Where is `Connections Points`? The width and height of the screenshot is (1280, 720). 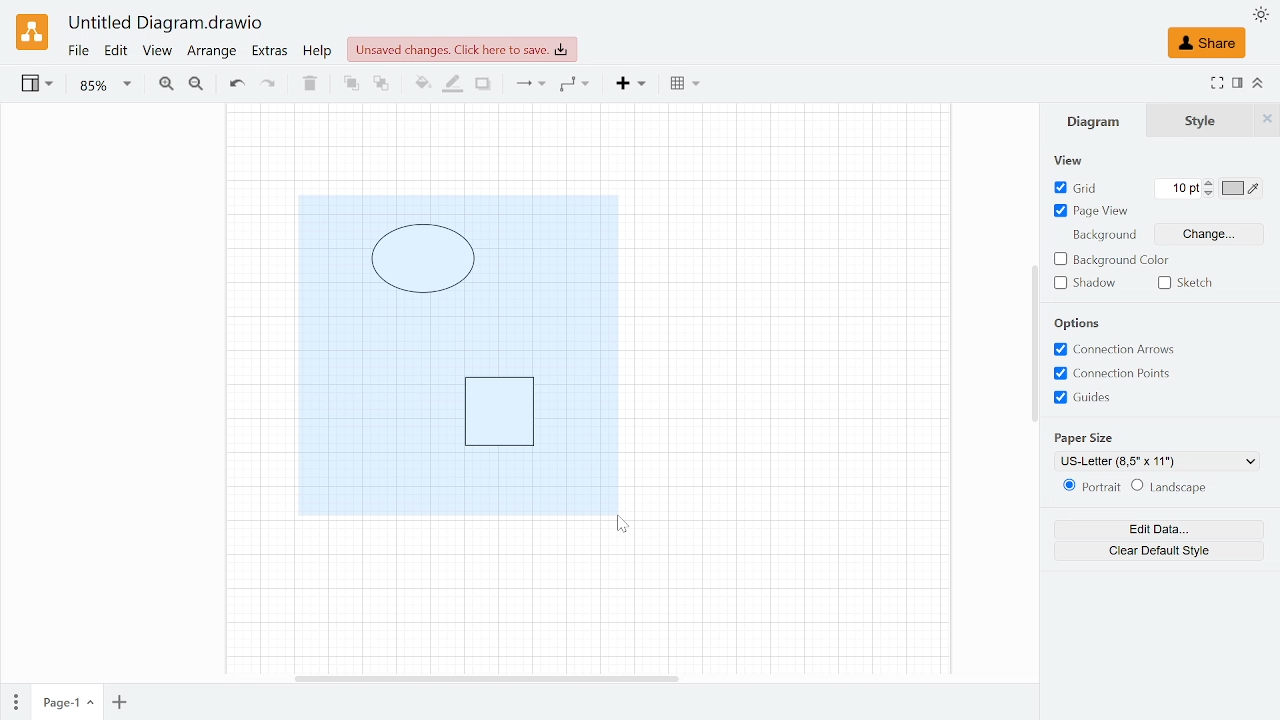 Connections Points is located at coordinates (1116, 375).